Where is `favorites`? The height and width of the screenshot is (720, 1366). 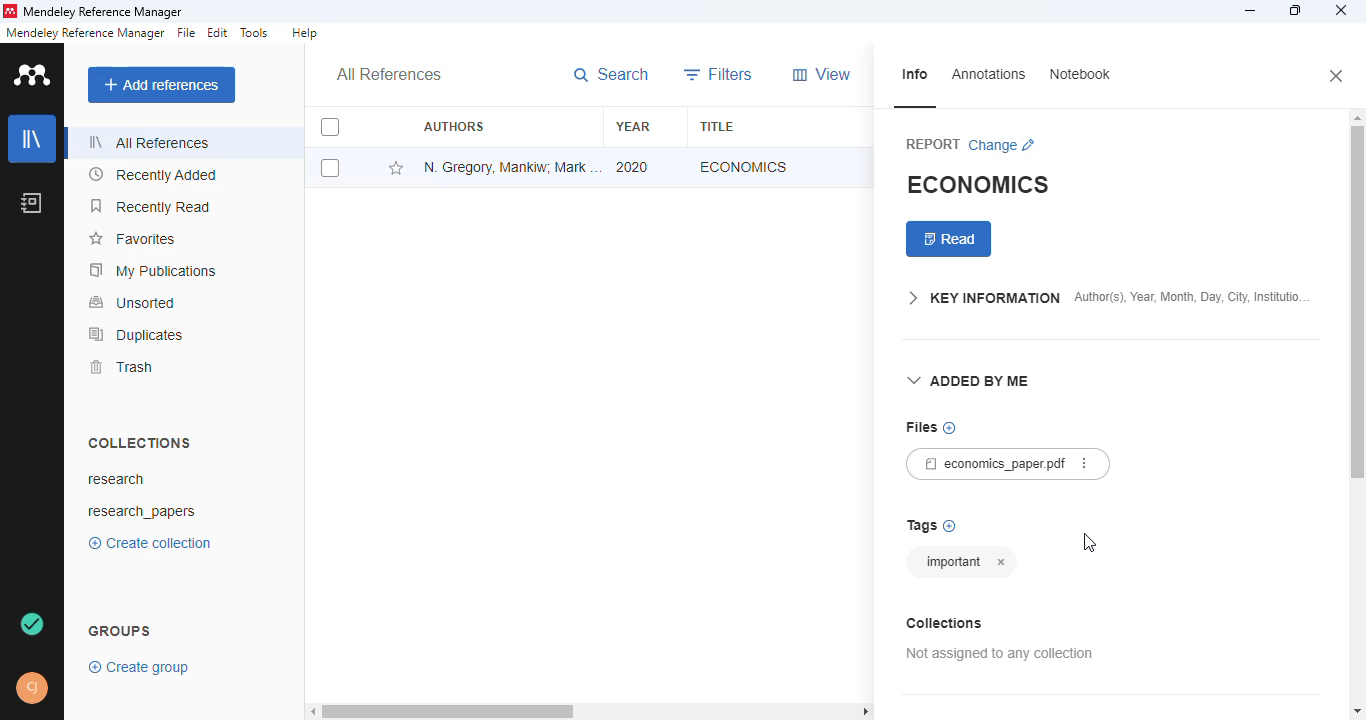
favorites is located at coordinates (131, 240).